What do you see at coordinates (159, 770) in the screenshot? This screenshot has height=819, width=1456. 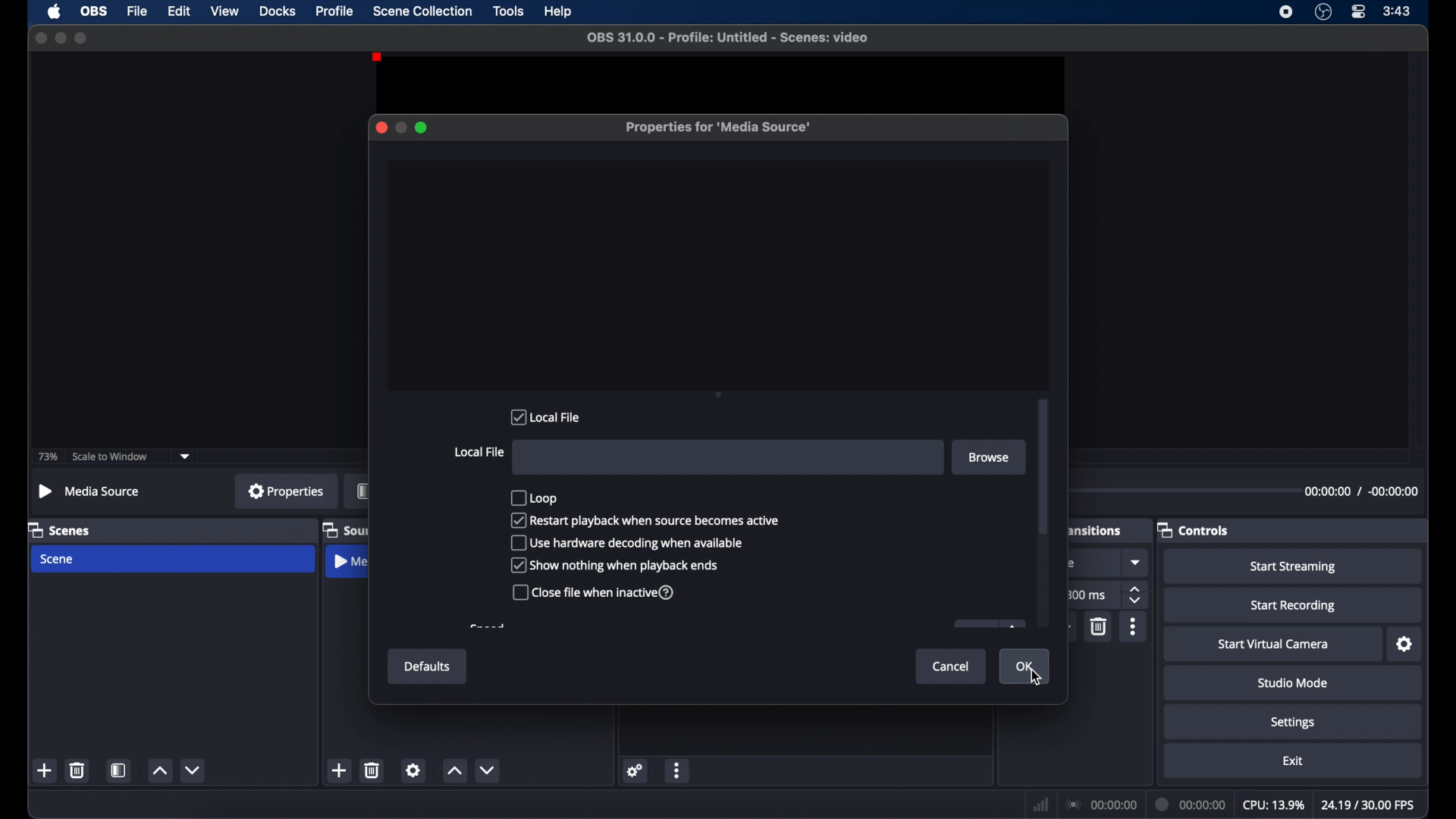 I see `increment` at bounding box center [159, 770].